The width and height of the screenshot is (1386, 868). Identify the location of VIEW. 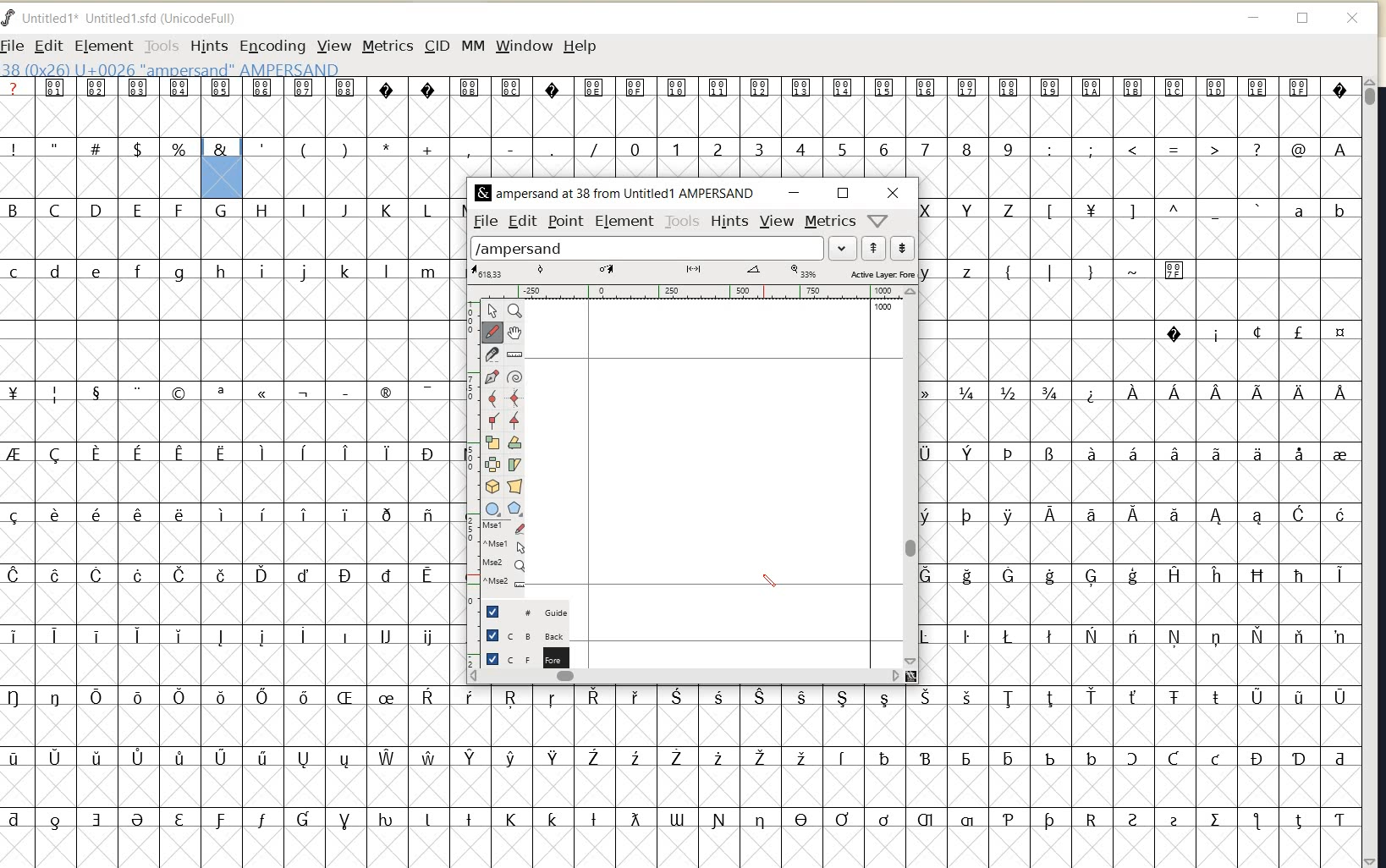
(778, 222).